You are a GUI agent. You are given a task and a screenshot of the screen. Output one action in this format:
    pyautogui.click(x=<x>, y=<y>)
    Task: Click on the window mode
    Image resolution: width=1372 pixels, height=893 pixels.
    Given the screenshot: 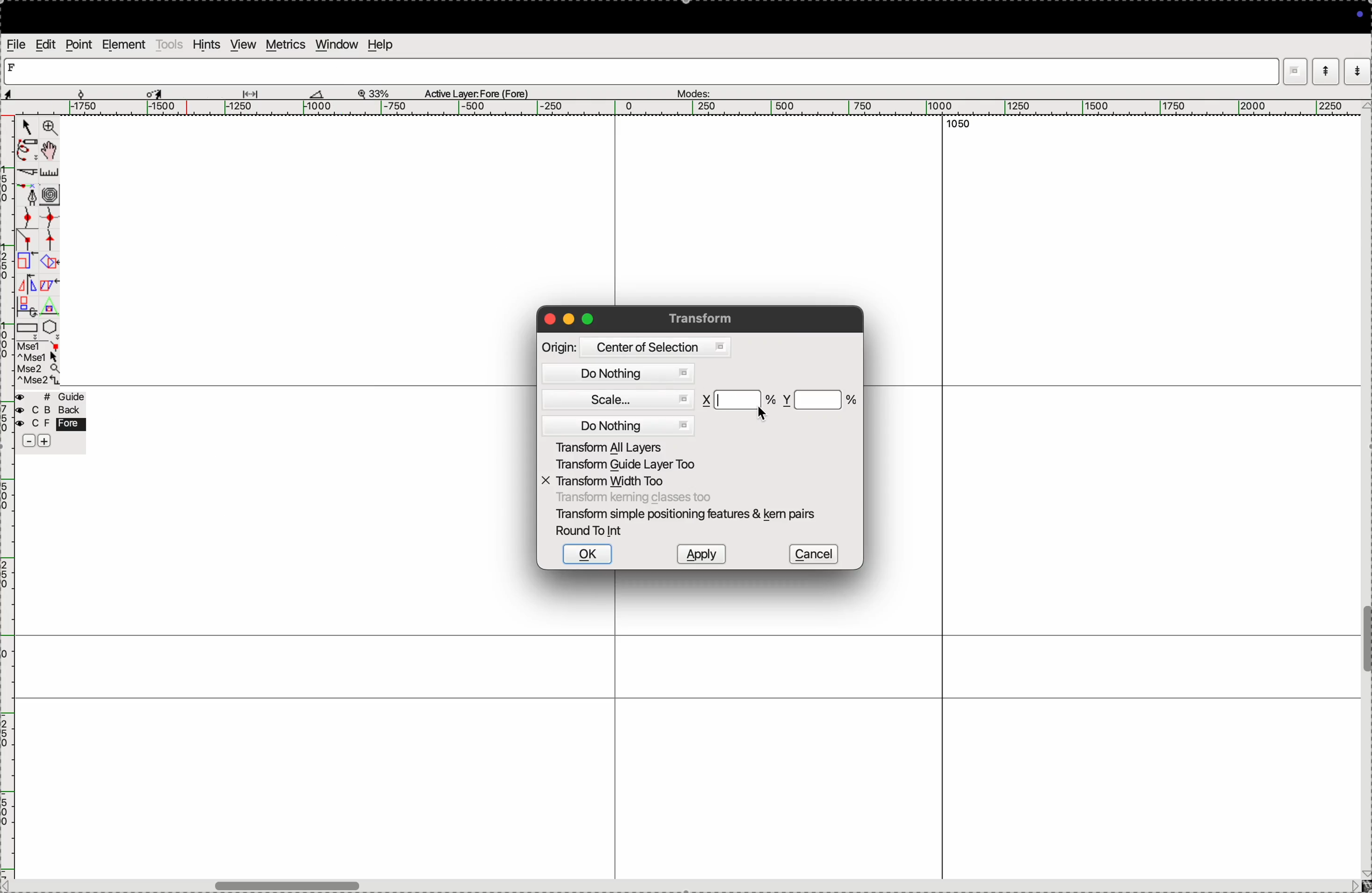 What is the action you would take?
    pyautogui.click(x=1295, y=73)
    